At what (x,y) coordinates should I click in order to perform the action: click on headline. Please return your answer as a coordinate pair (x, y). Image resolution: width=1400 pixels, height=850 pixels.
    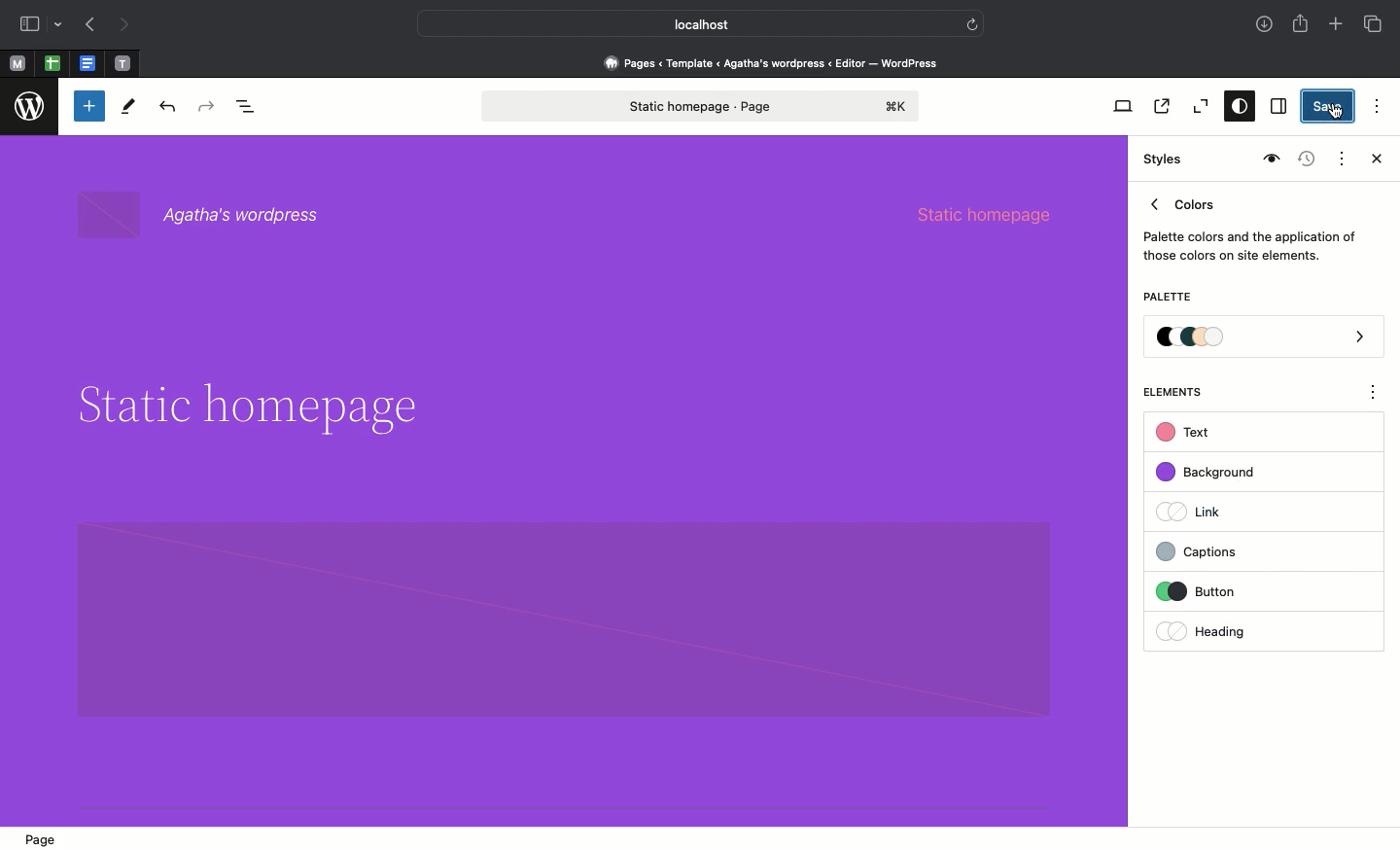
    Looking at the image, I should click on (245, 407).